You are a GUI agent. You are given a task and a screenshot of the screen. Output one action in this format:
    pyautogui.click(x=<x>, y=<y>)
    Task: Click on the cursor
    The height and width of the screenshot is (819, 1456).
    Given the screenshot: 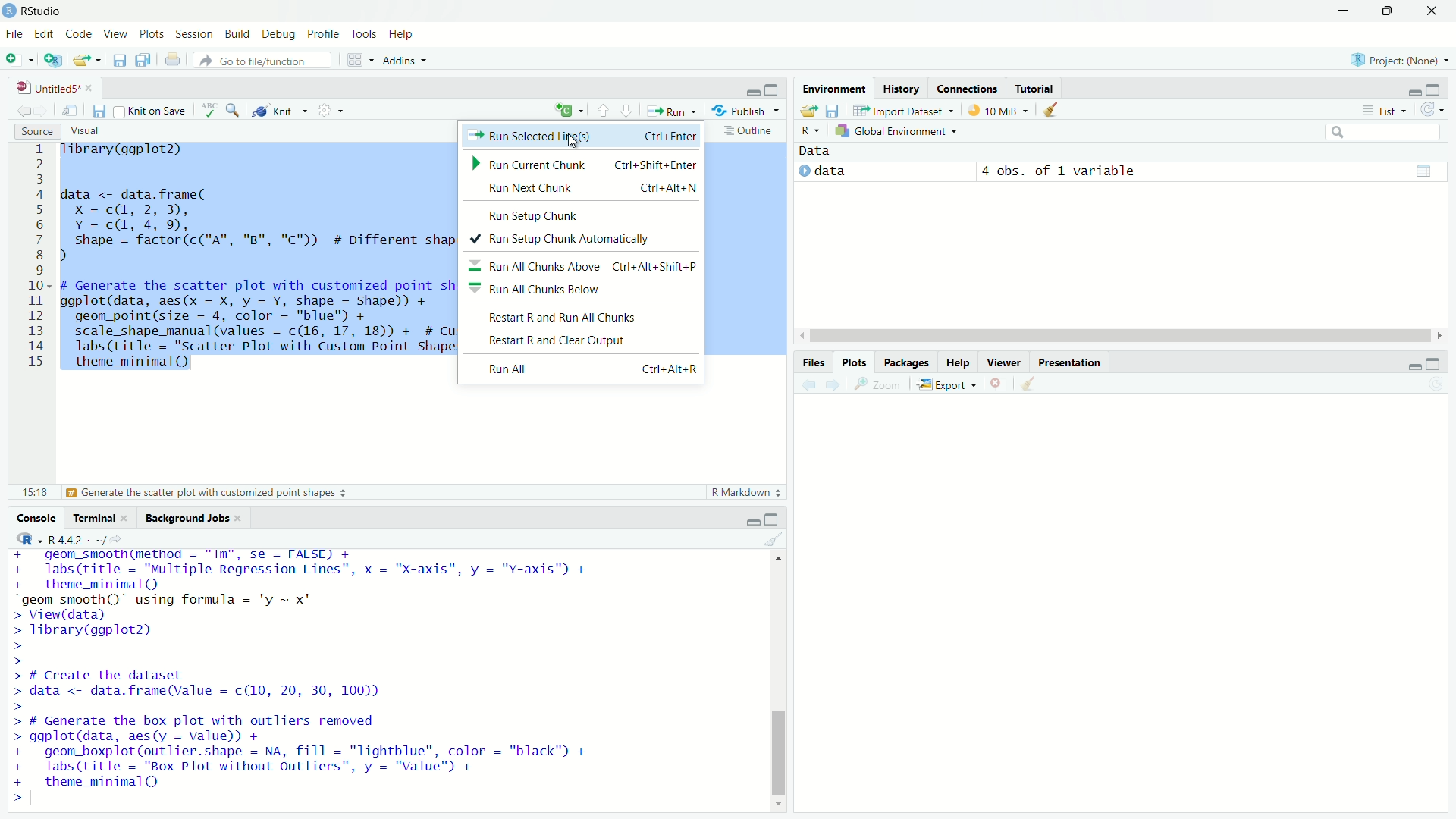 What is the action you would take?
    pyautogui.click(x=570, y=141)
    